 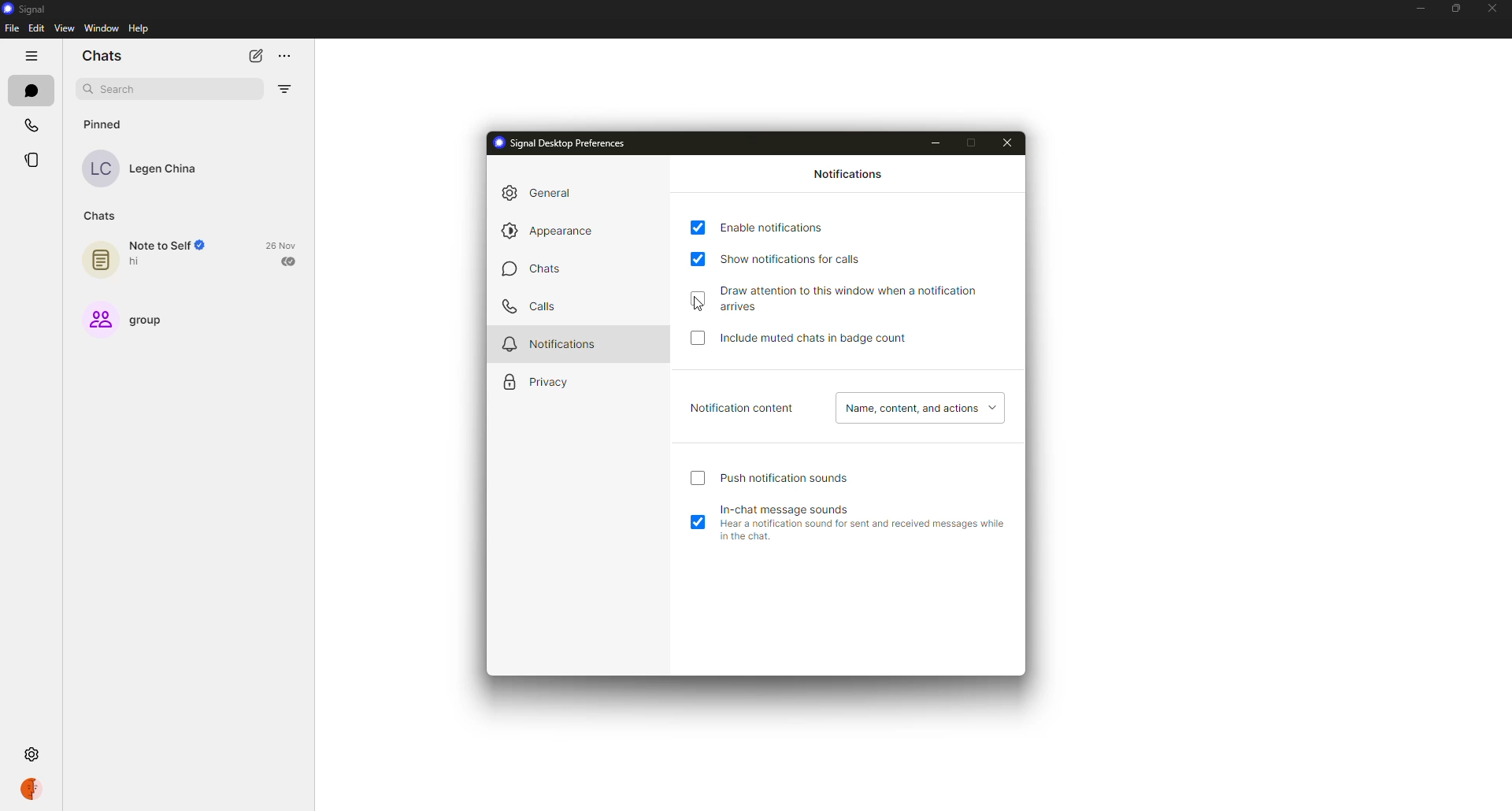 I want to click on date, so click(x=283, y=244).